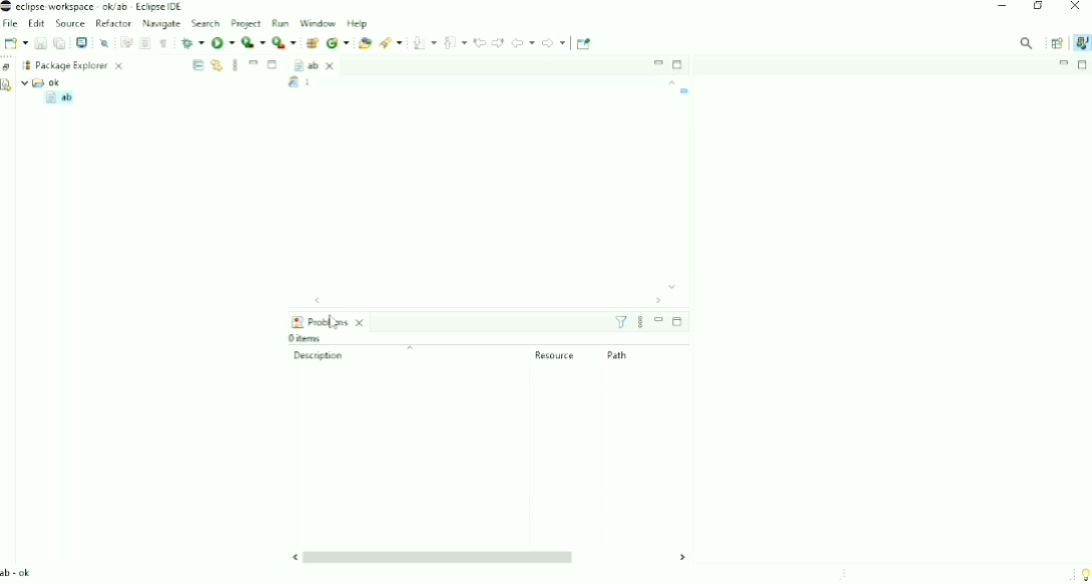 Image resolution: width=1092 pixels, height=584 pixels. I want to click on Maximize, so click(274, 66).